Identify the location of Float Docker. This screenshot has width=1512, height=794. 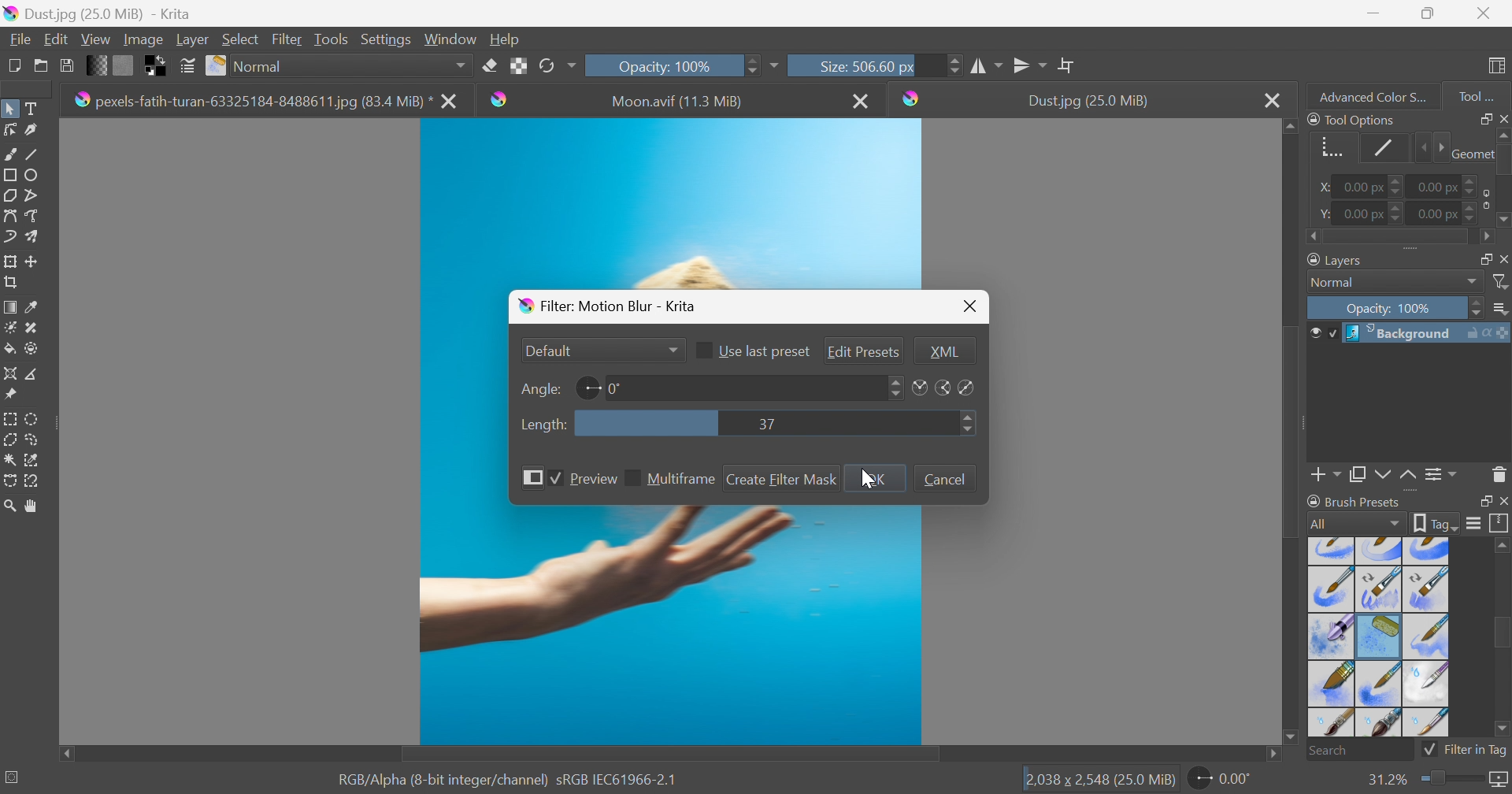
(1503, 258).